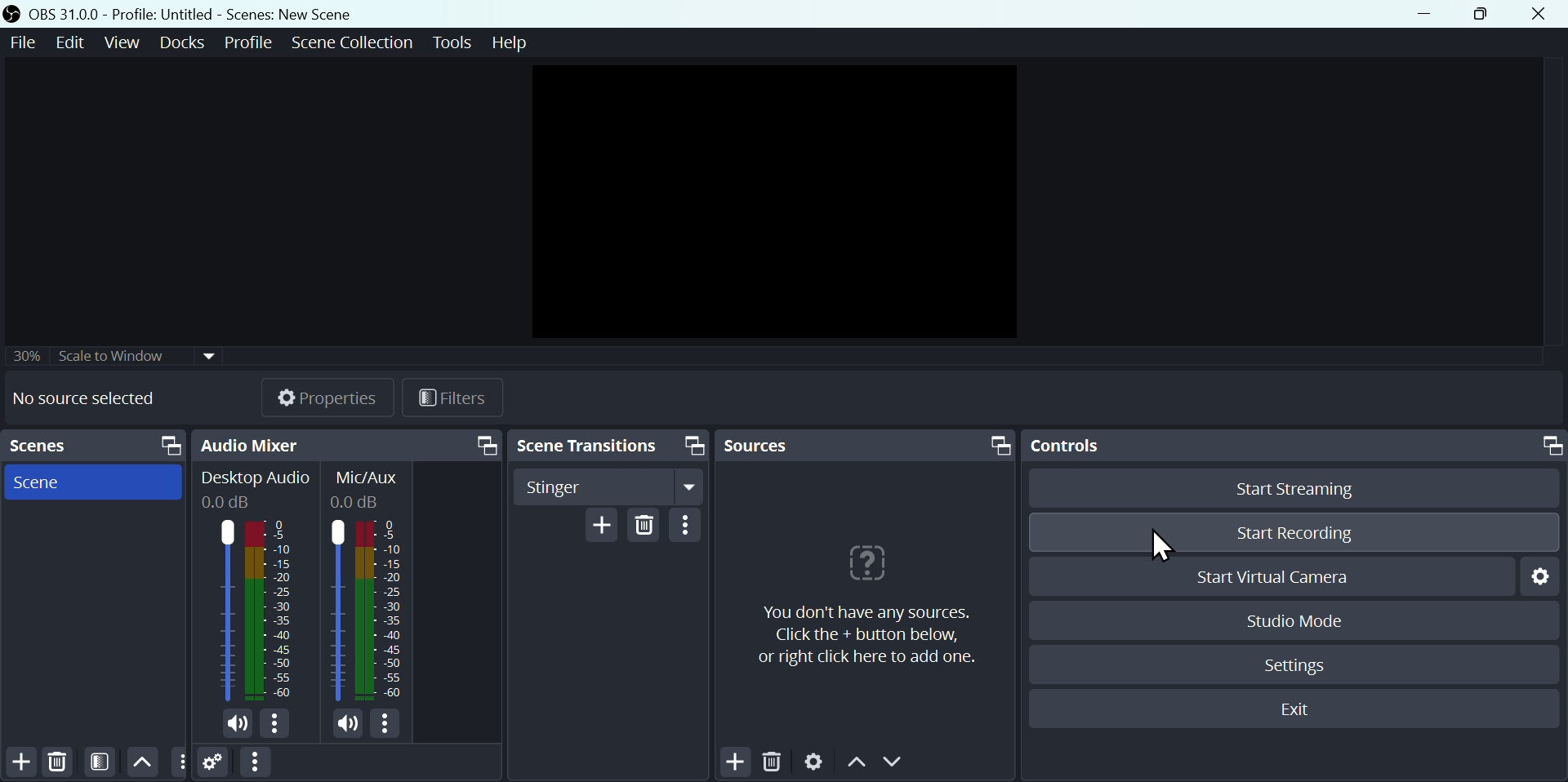  I want to click on Close, so click(1543, 15).